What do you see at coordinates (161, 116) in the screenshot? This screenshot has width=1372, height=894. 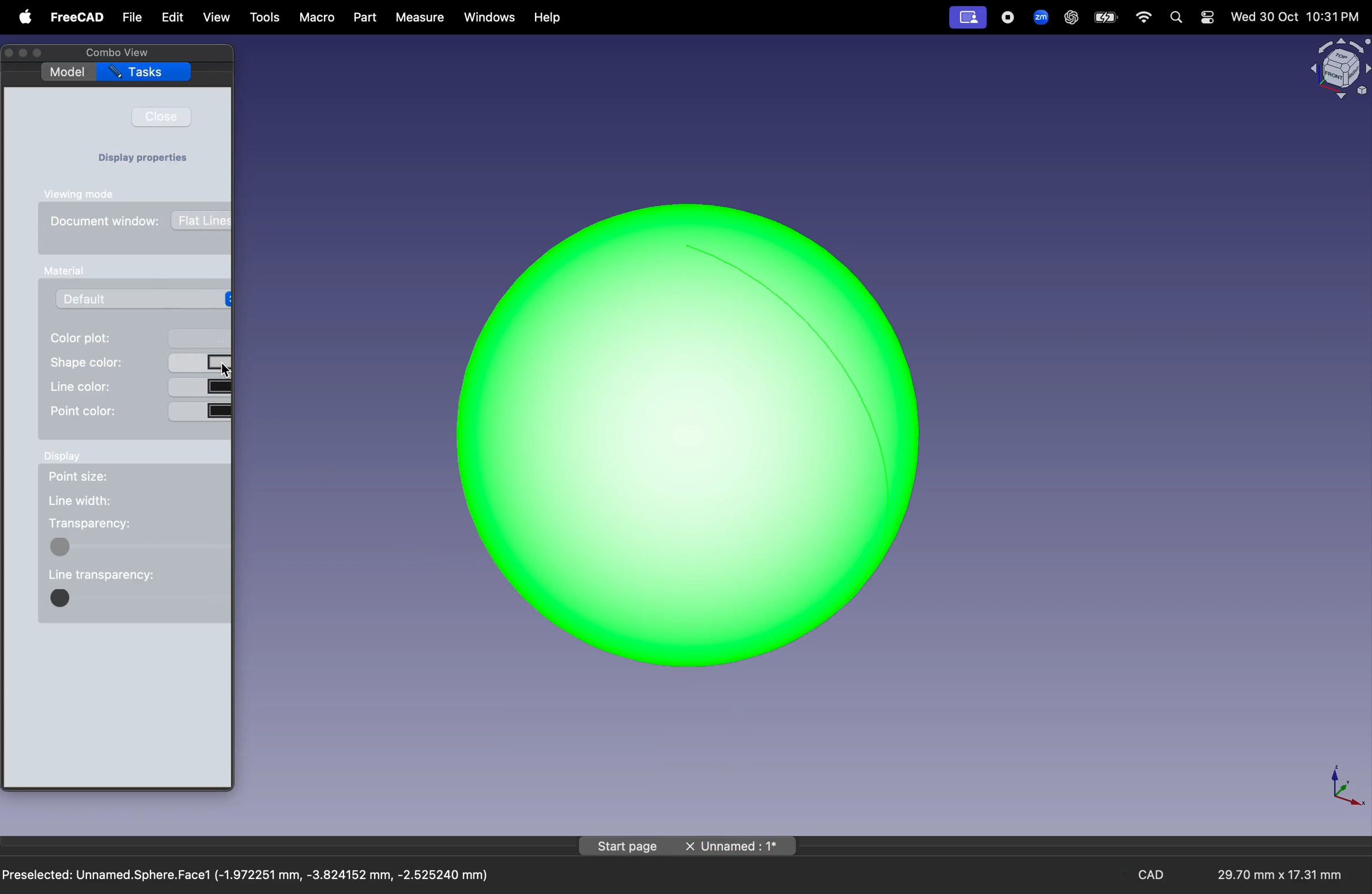 I see `close` at bounding box center [161, 116].